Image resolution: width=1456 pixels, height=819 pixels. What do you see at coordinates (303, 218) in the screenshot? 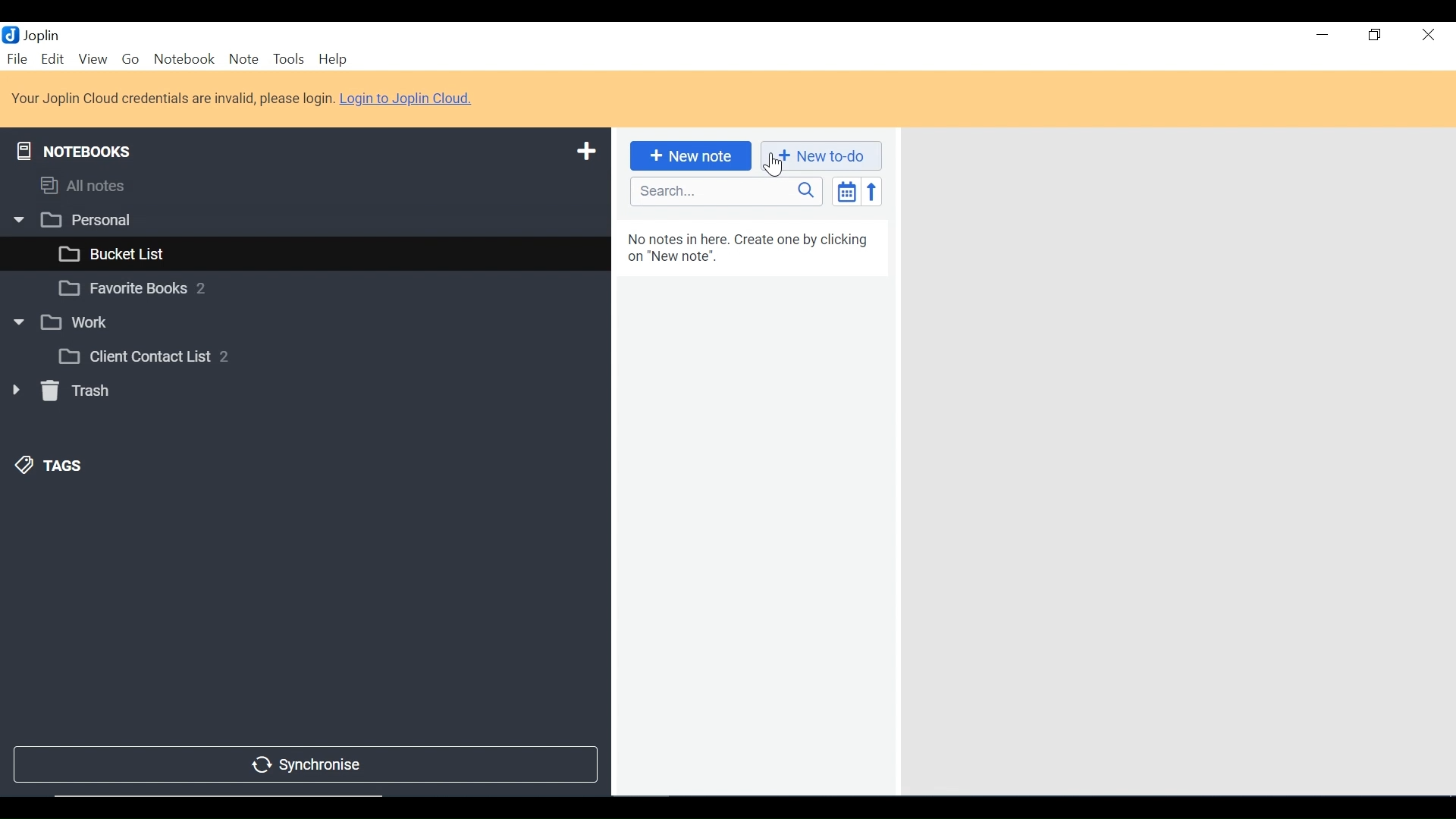
I see `Notebook` at bounding box center [303, 218].